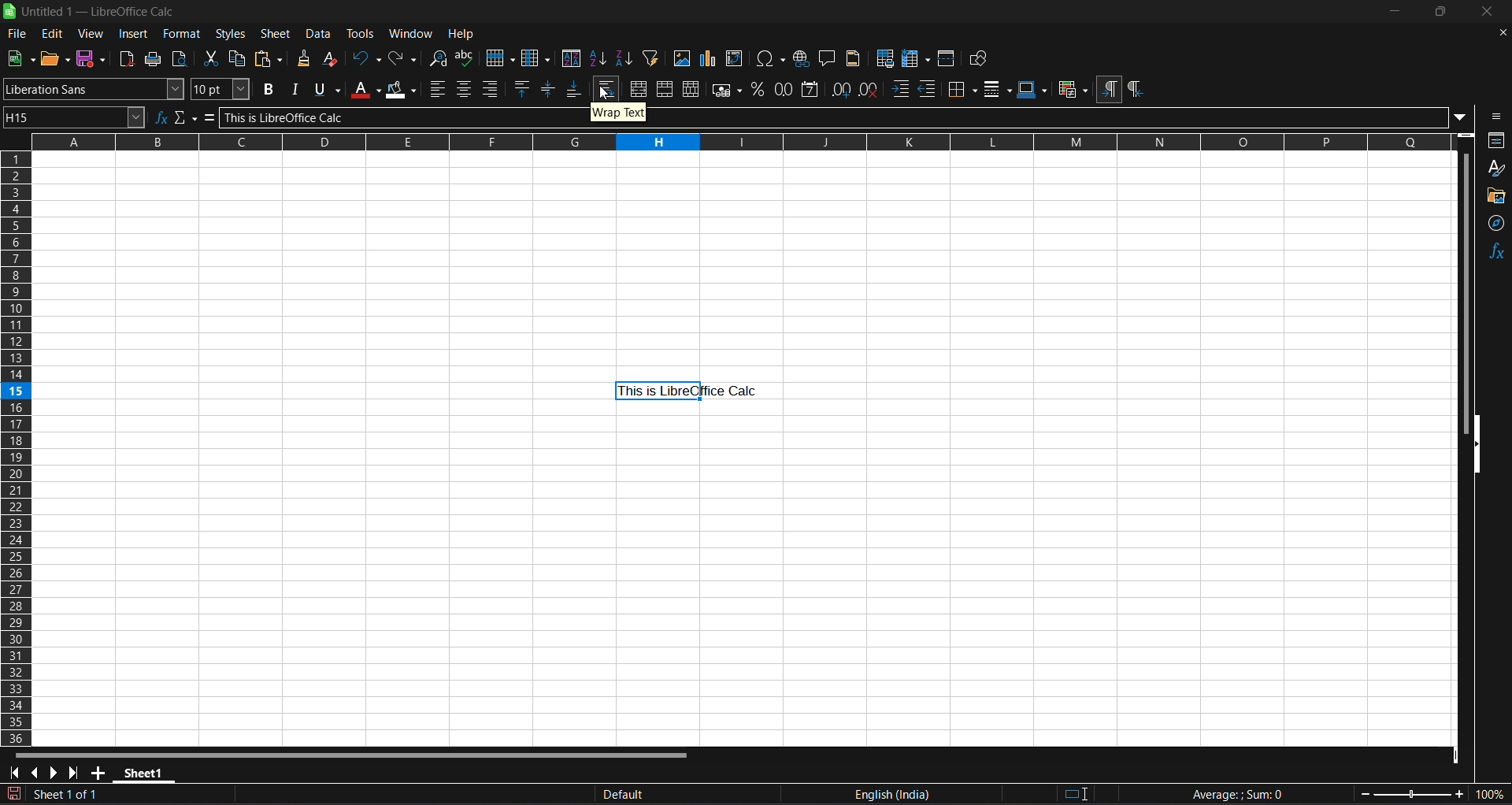 Image resolution: width=1512 pixels, height=805 pixels. Describe the element at coordinates (844, 118) in the screenshot. I see `input line` at that location.